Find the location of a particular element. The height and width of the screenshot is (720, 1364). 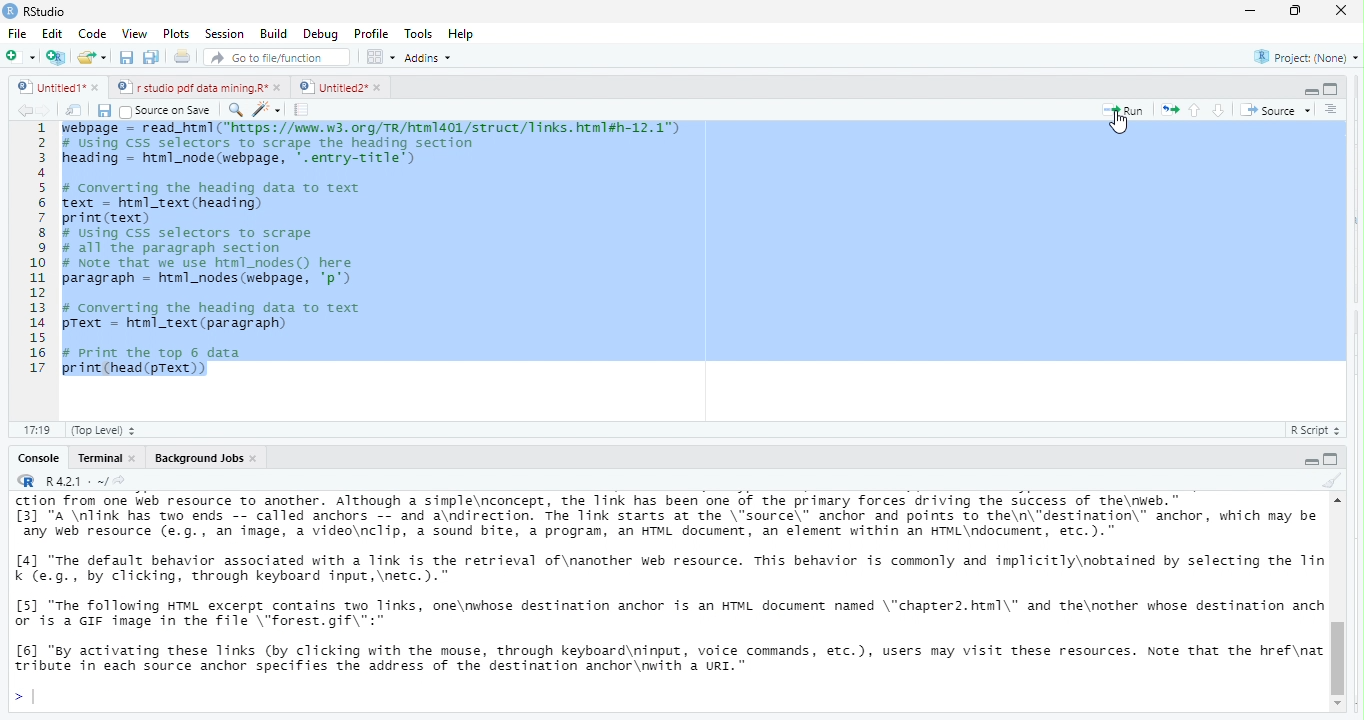

close is located at coordinates (280, 87).